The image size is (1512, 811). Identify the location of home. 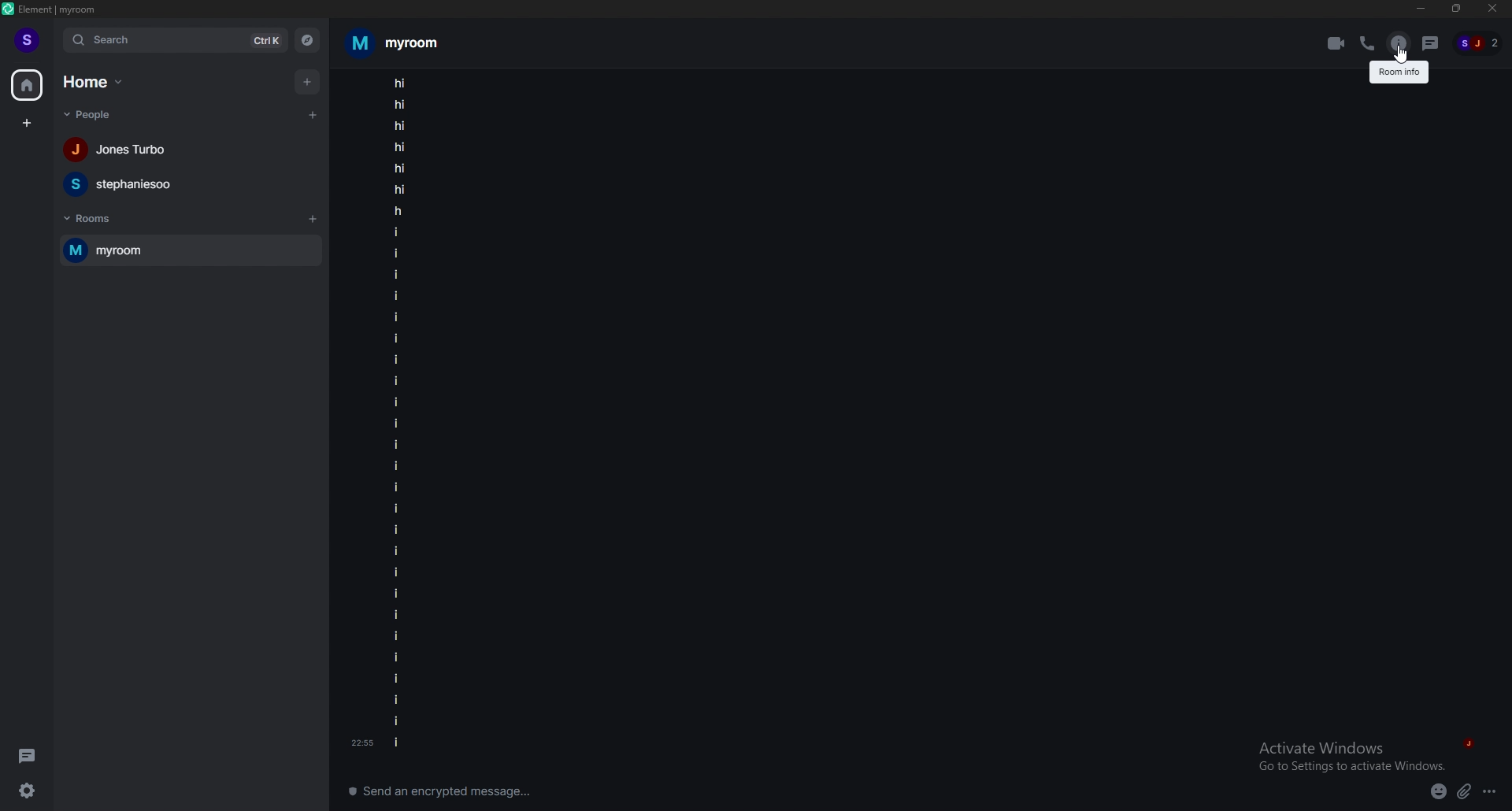
(26, 84).